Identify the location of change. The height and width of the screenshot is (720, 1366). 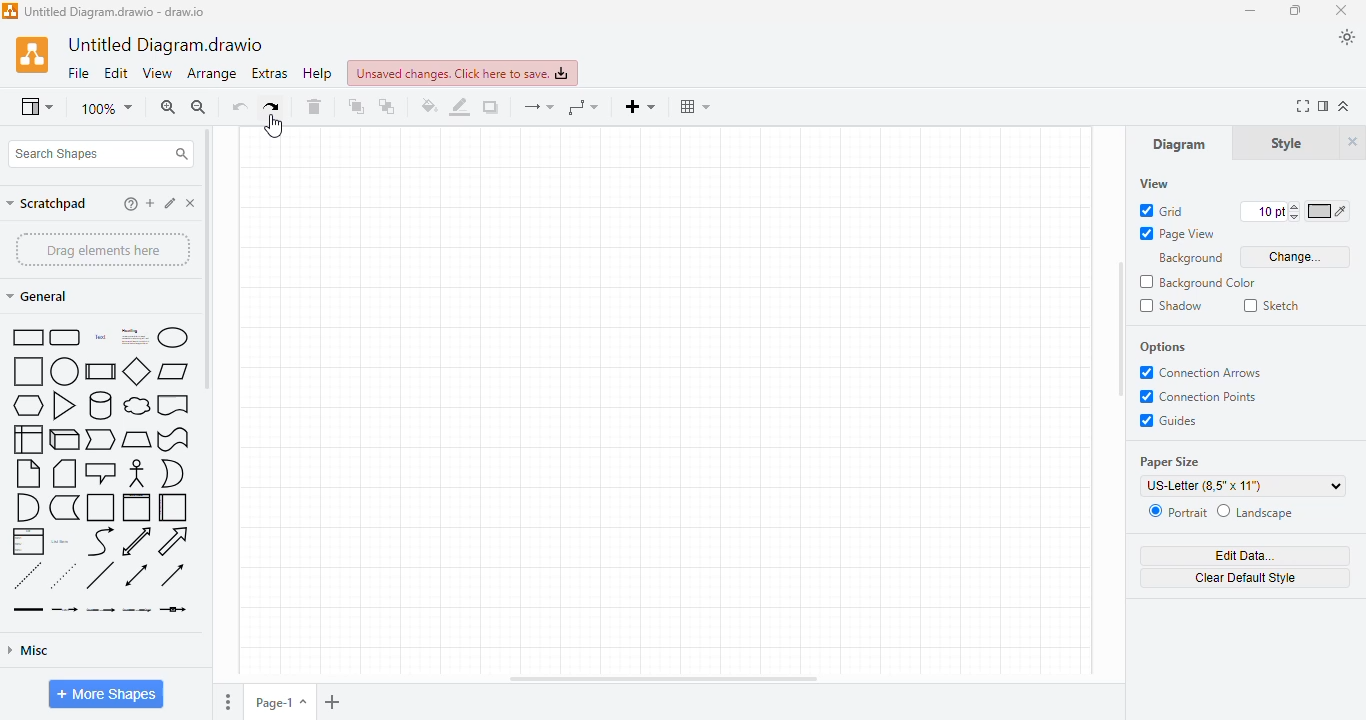
(1295, 257).